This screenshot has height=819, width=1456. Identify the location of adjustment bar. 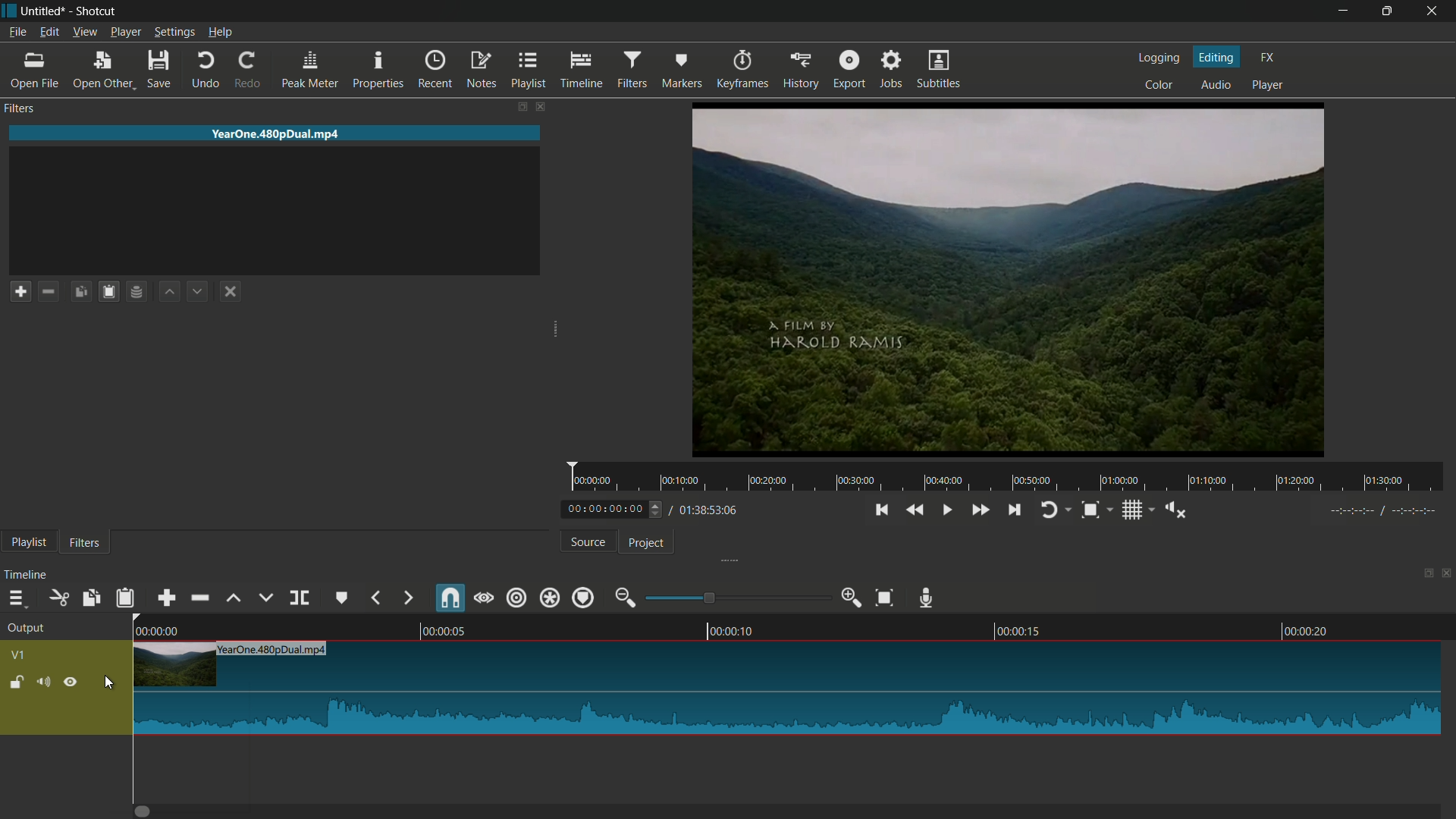
(739, 598).